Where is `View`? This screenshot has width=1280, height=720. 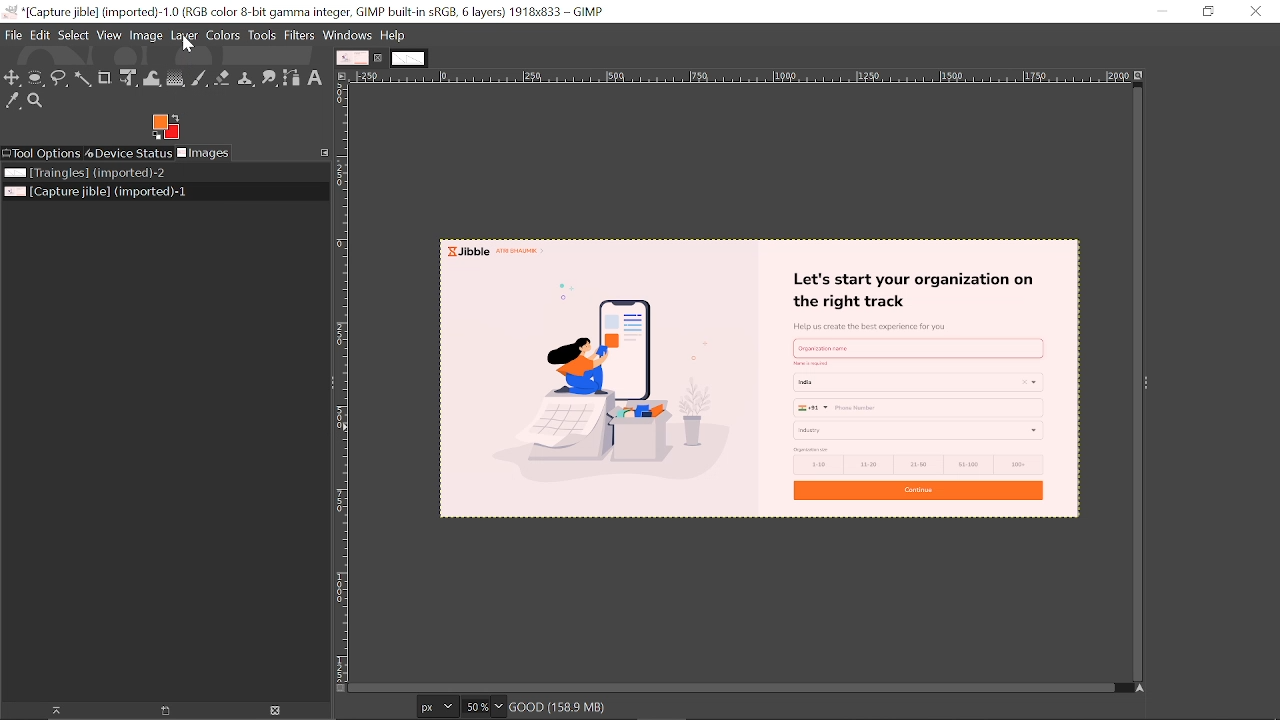 View is located at coordinates (109, 35).